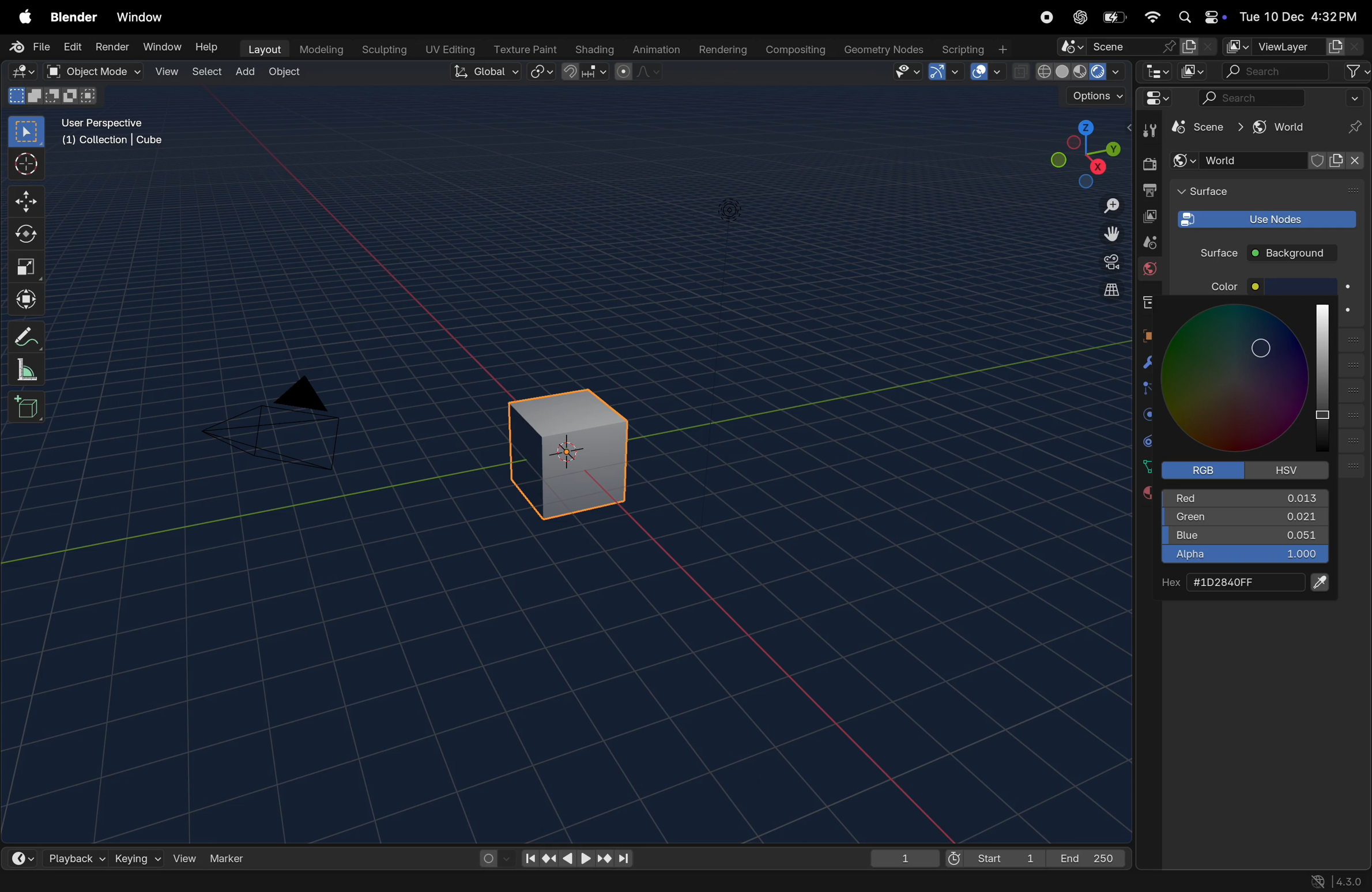 This screenshot has height=892, width=1372. I want to click on scripting, so click(977, 48).